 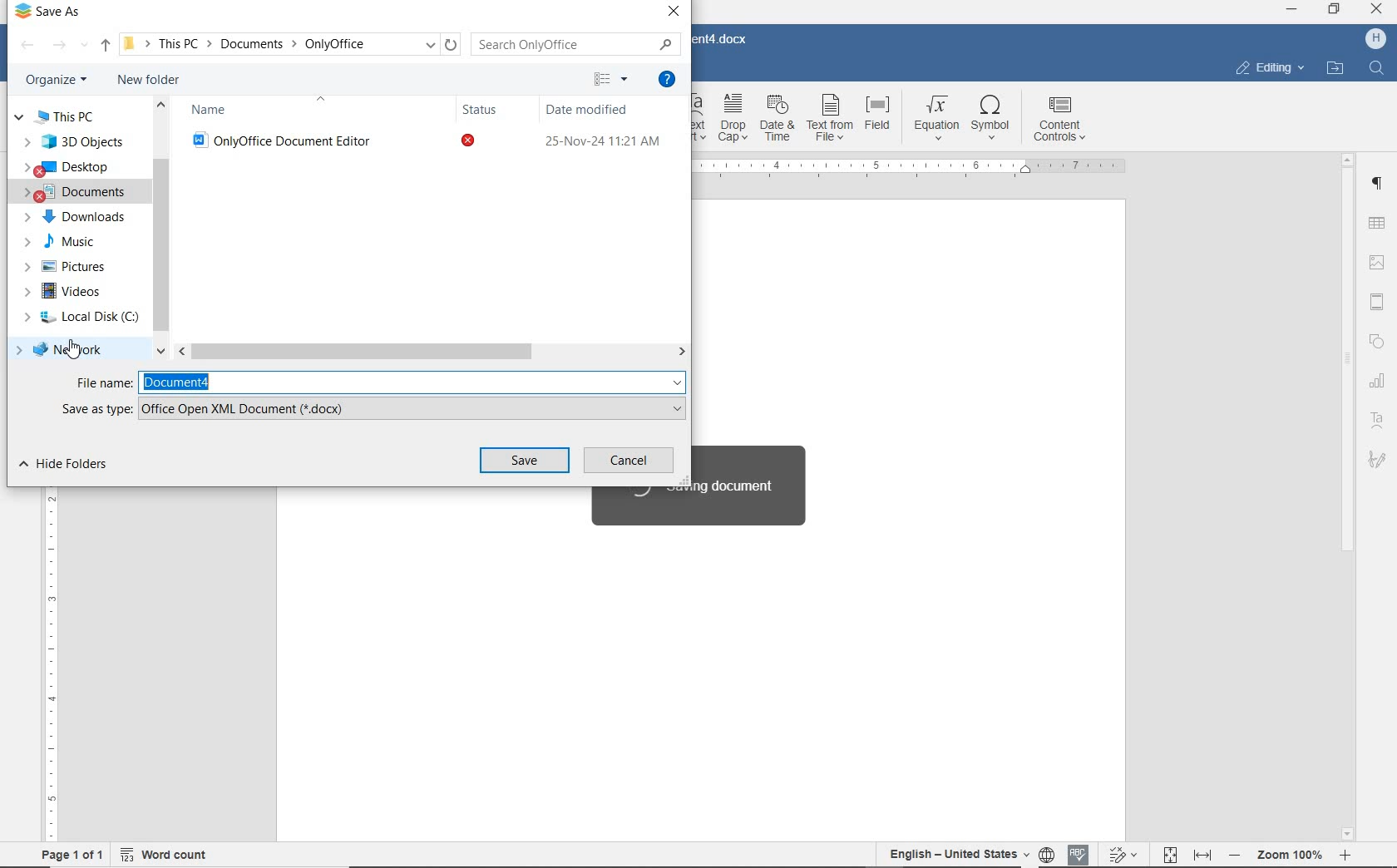 I want to click on open file location, so click(x=1336, y=70).